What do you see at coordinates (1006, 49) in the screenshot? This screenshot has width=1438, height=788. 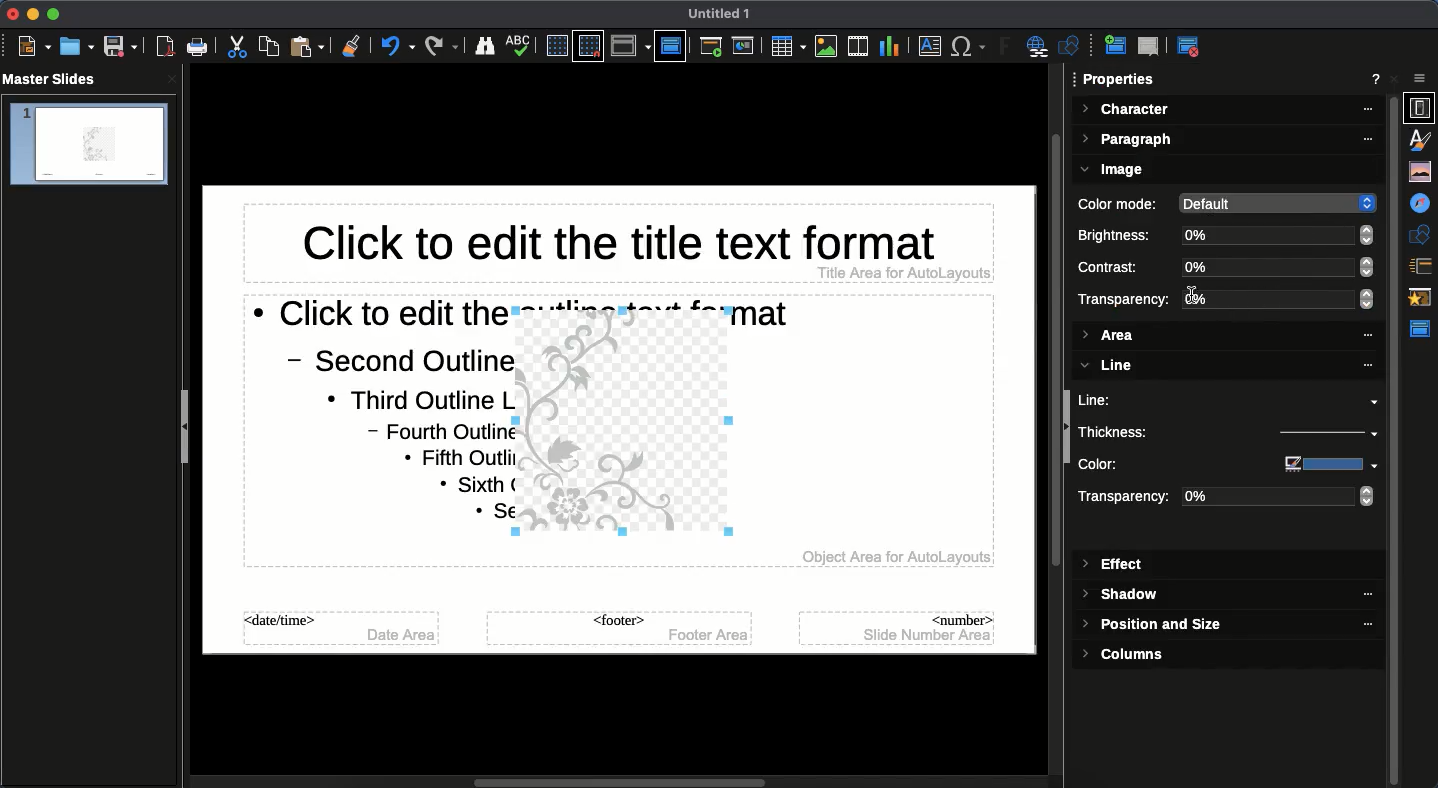 I see `Fontwork` at bounding box center [1006, 49].